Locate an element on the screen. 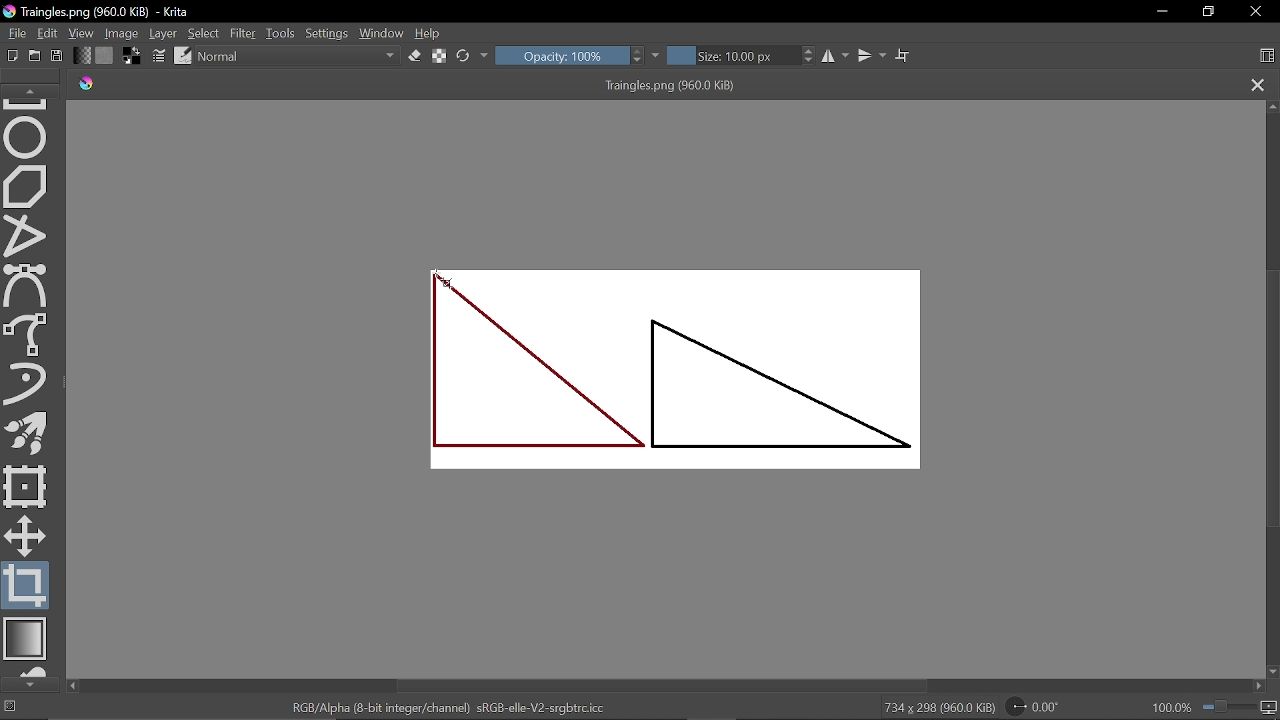  Window is located at coordinates (382, 33).